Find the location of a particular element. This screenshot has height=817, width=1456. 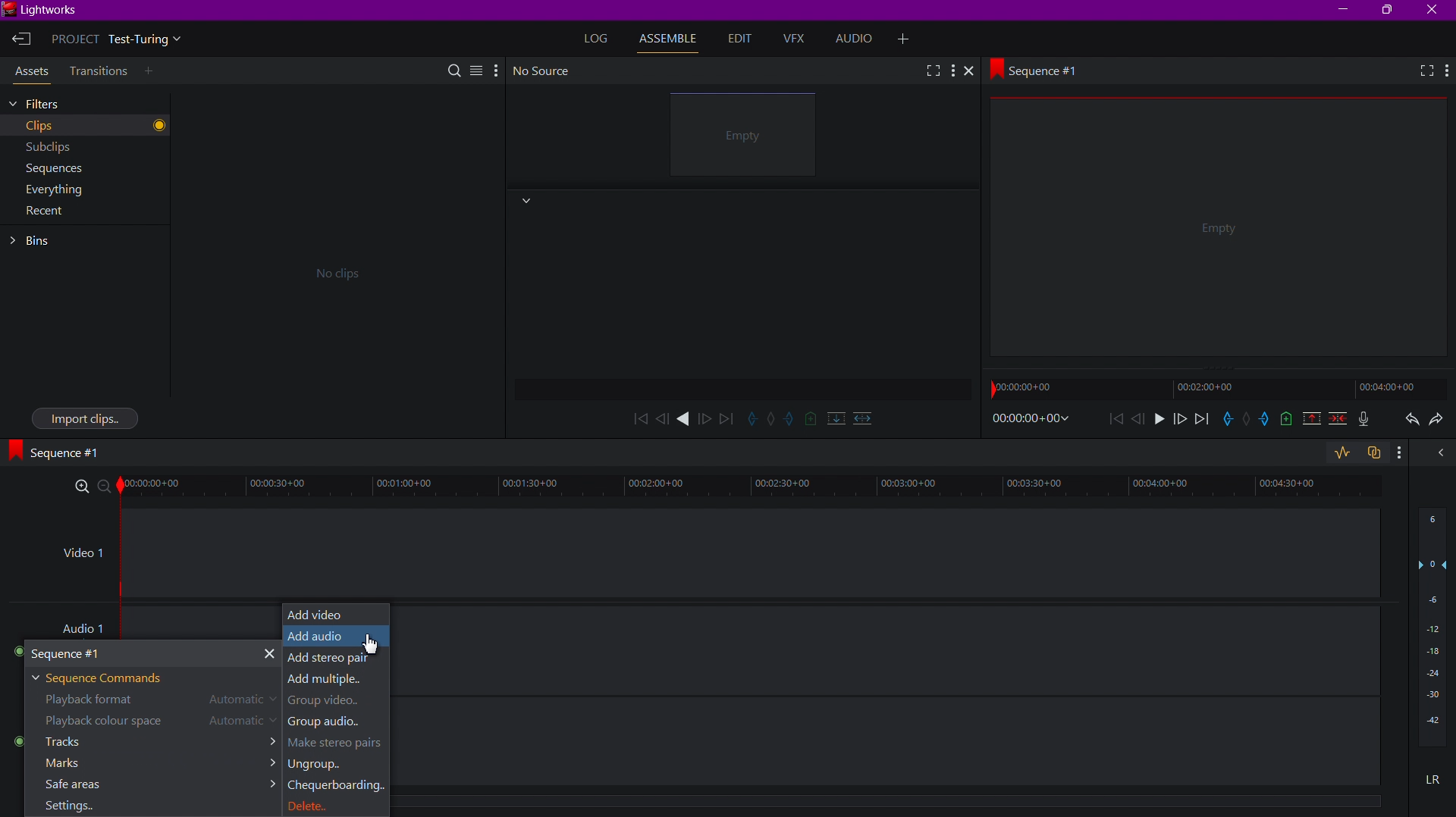

Add audio is located at coordinates (334, 637).